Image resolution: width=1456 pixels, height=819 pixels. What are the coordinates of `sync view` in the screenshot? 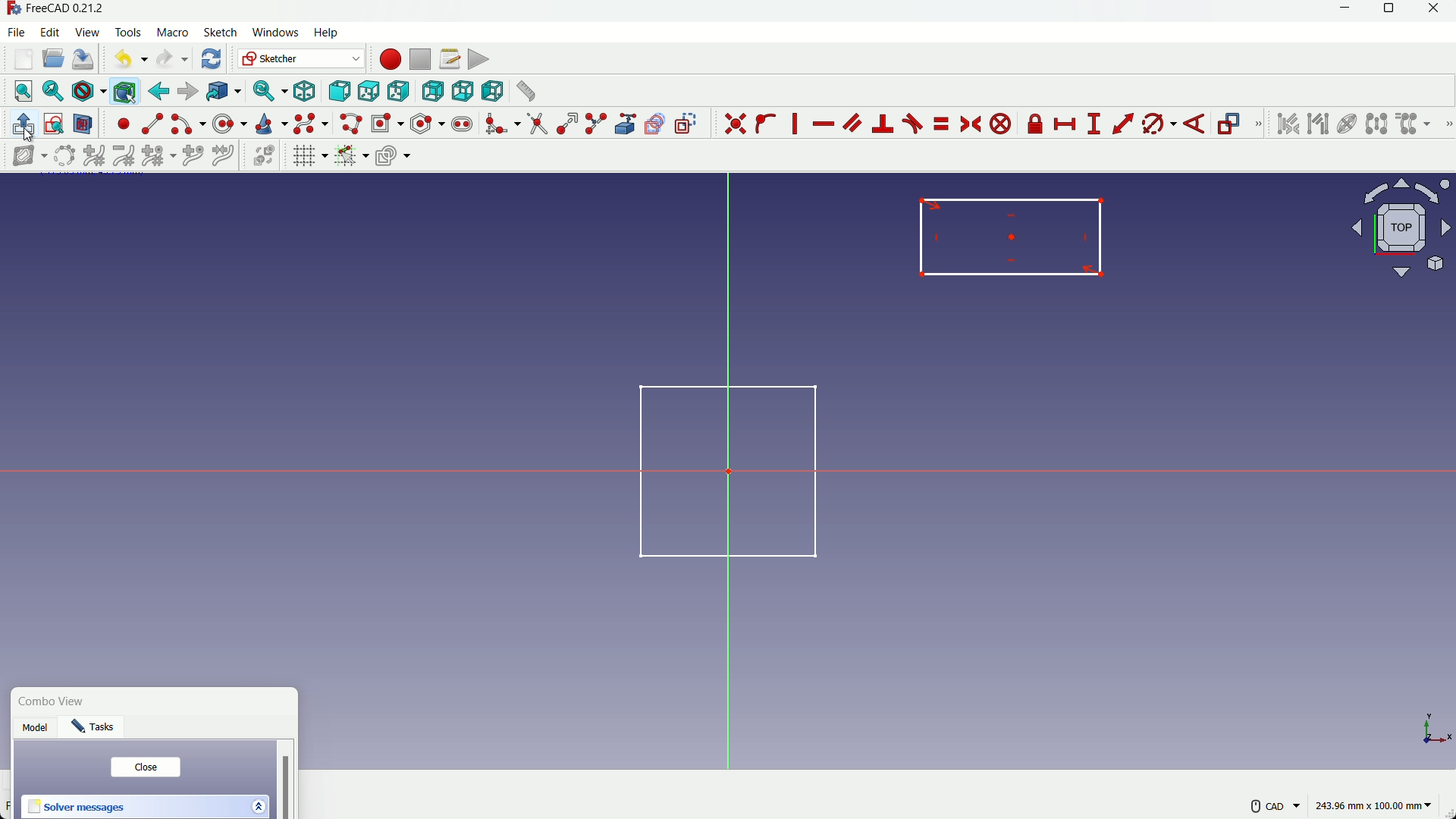 It's located at (267, 92).